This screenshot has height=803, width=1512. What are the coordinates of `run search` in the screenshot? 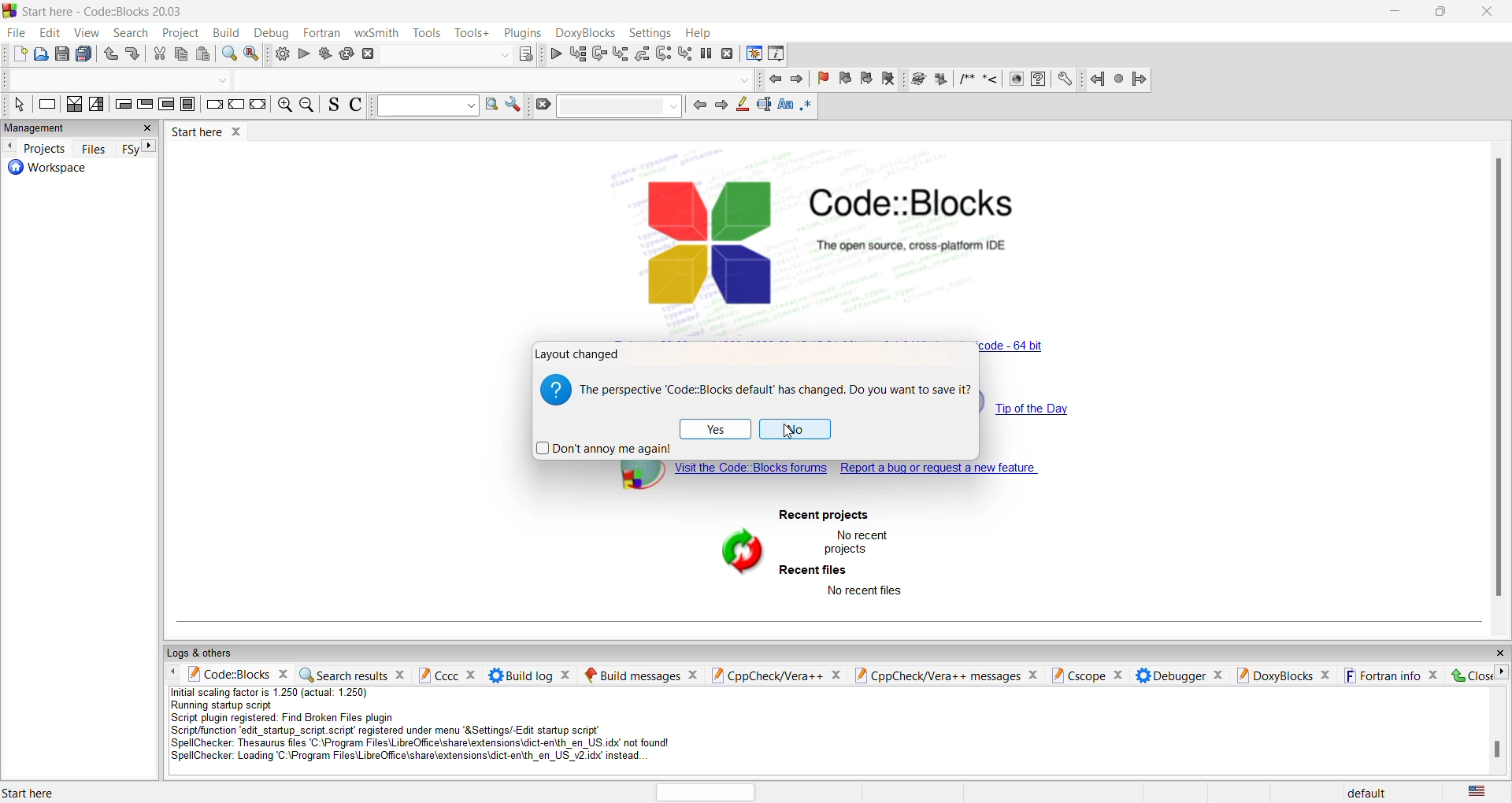 It's located at (492, 103).